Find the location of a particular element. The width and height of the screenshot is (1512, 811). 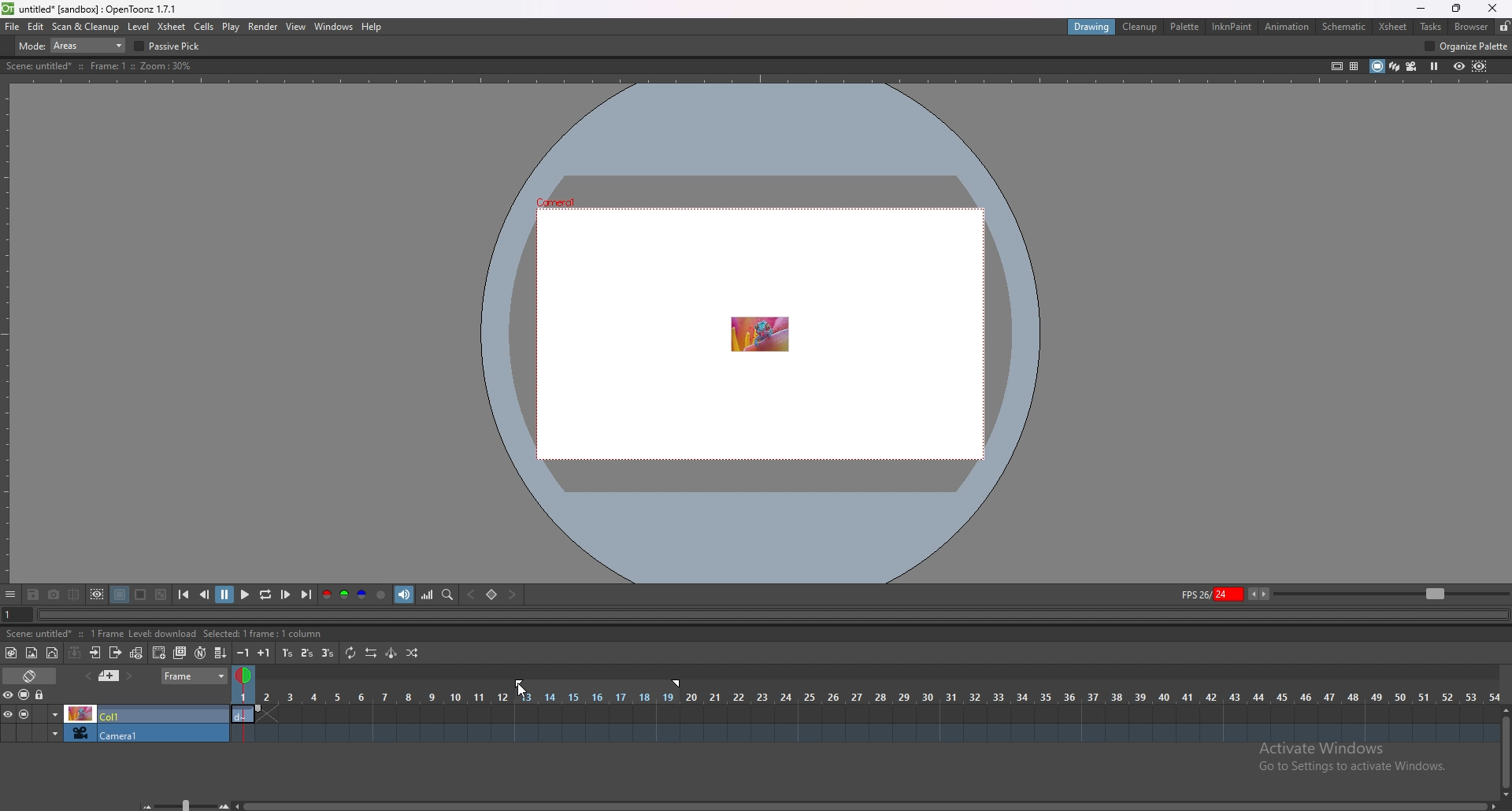

timeline is located at coordinates (863, 733).